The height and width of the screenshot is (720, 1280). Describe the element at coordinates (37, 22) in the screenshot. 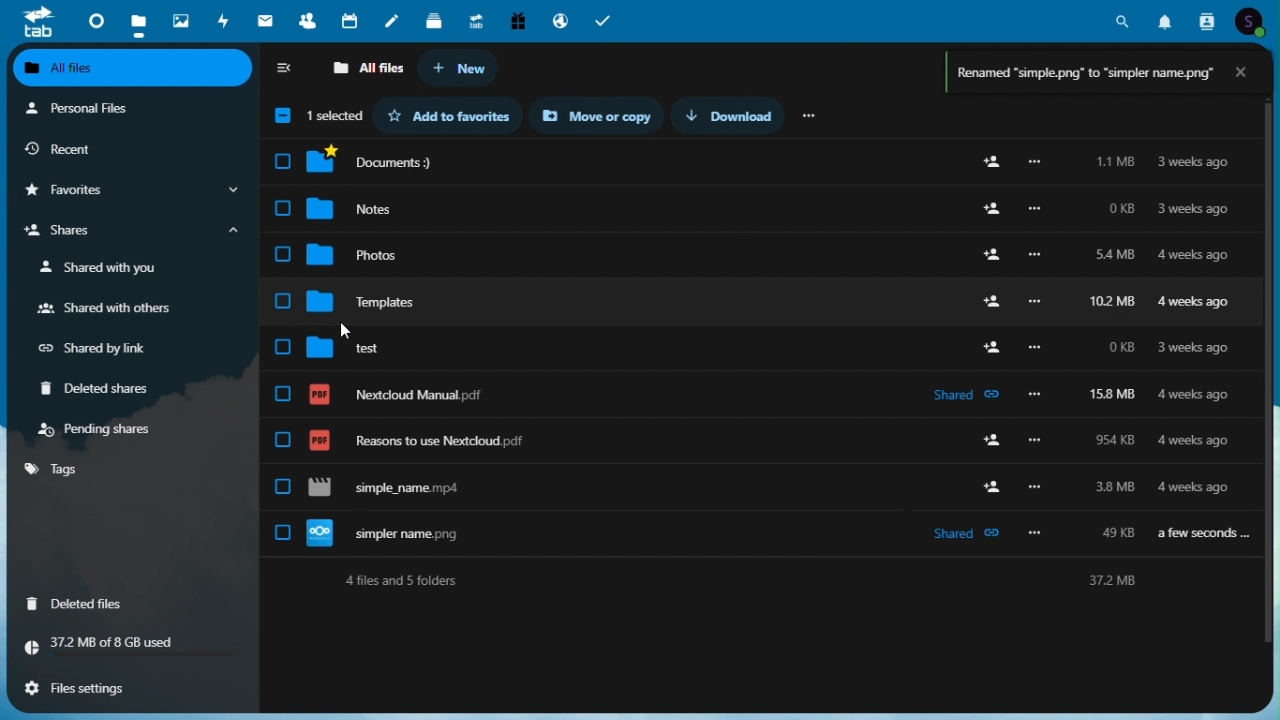

I see `tab` at that location.